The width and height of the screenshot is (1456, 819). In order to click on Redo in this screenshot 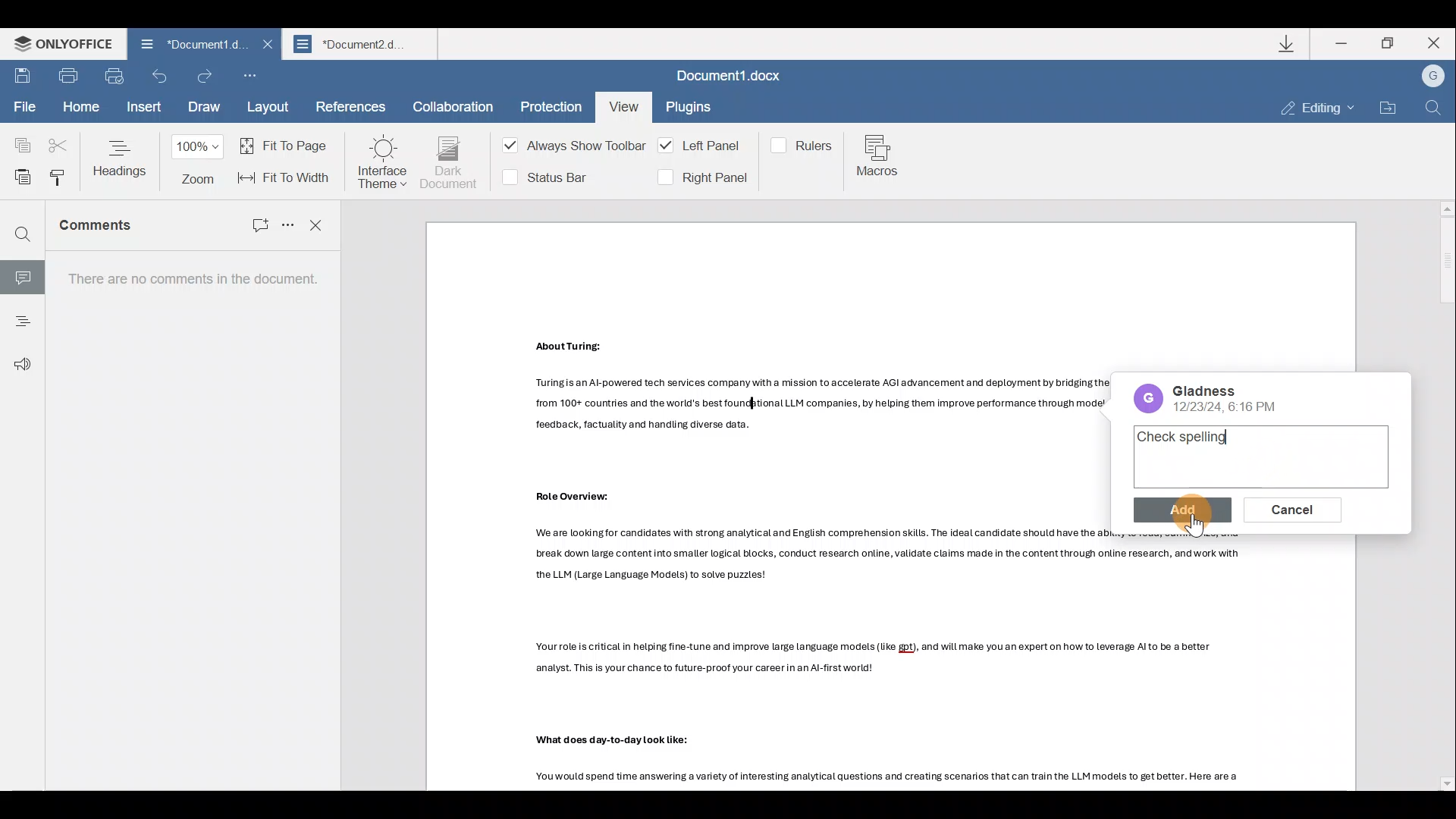, I will do `click(206, 76)`.